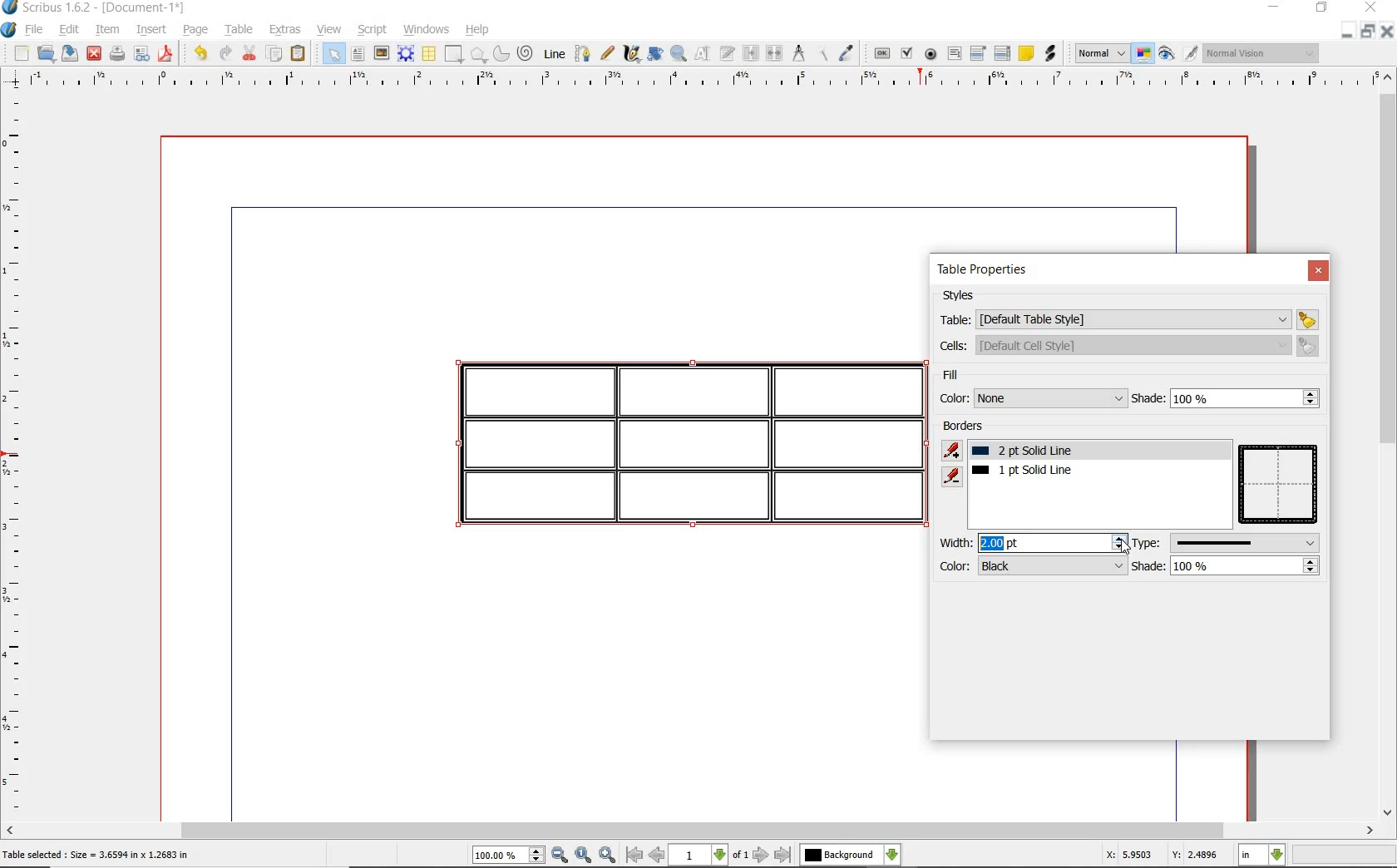 This screenshot has height=868, width=1397. I want to click on paste, so click(299, 53).